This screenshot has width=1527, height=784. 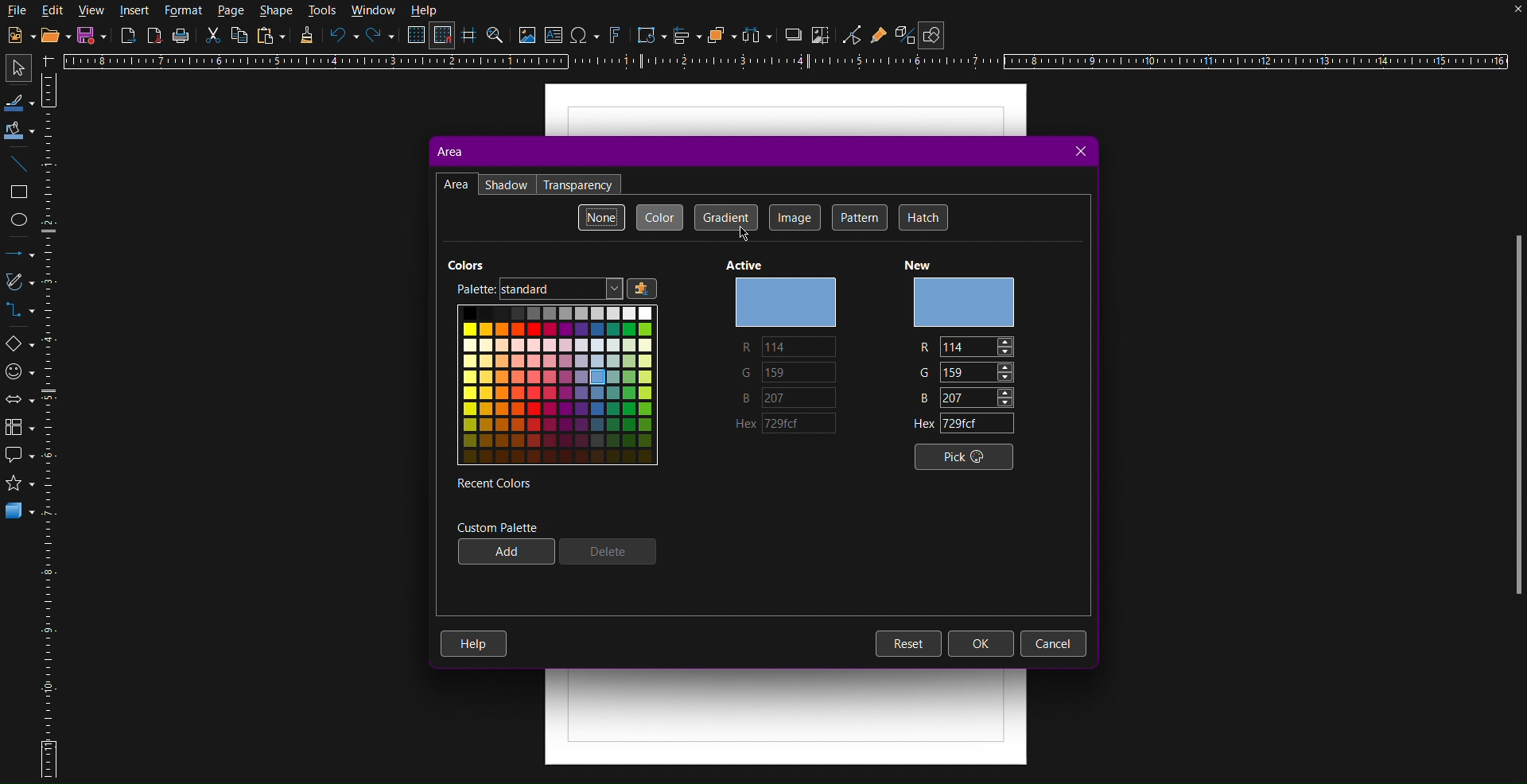 What do you see at coordinates (17, 10) in the screenshot?
I see `File` at bounding box center [17, 10].